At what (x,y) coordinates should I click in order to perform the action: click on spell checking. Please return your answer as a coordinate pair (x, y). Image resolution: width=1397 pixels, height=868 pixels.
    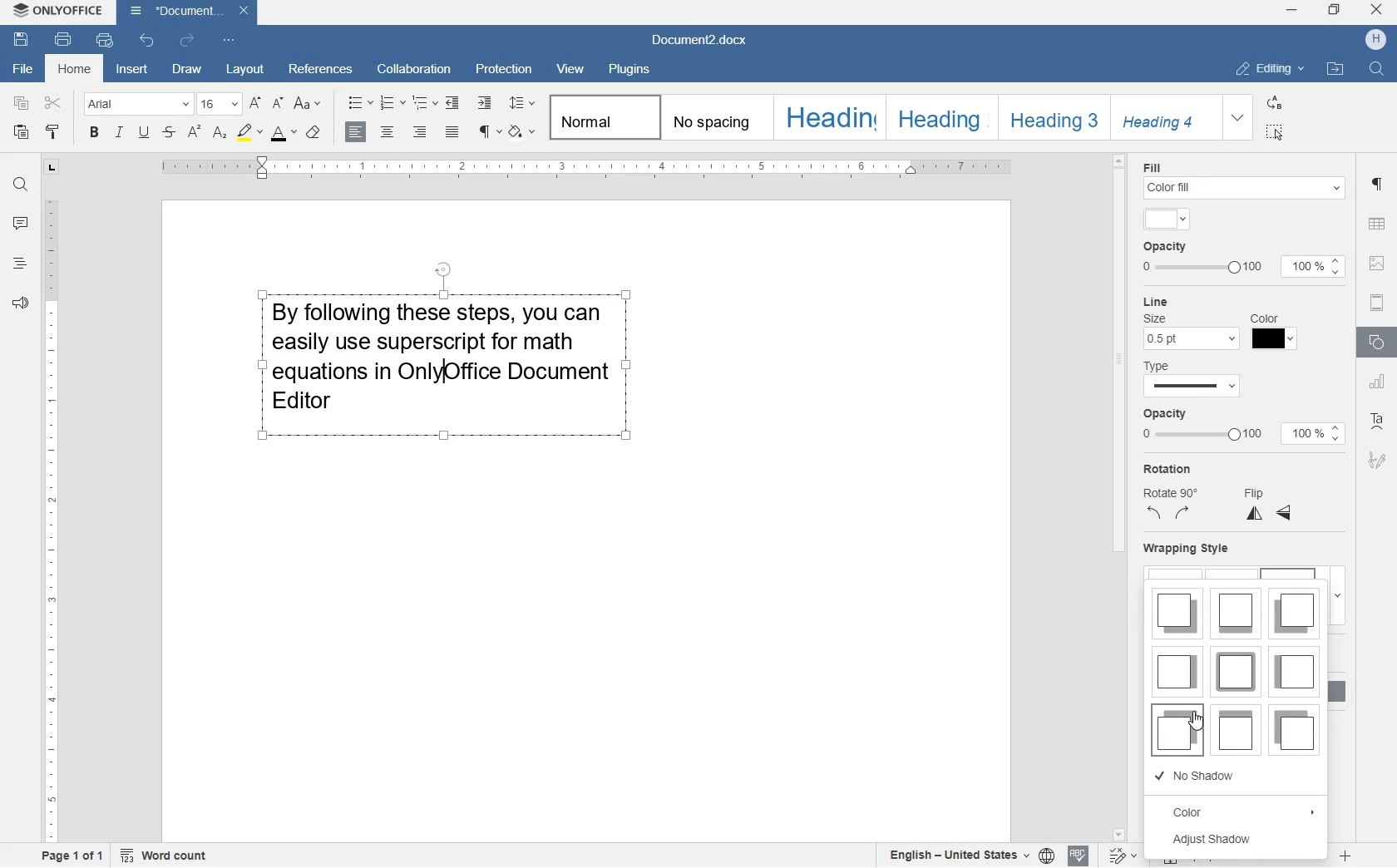
    Looking at the image, I should click on (1079, 856).